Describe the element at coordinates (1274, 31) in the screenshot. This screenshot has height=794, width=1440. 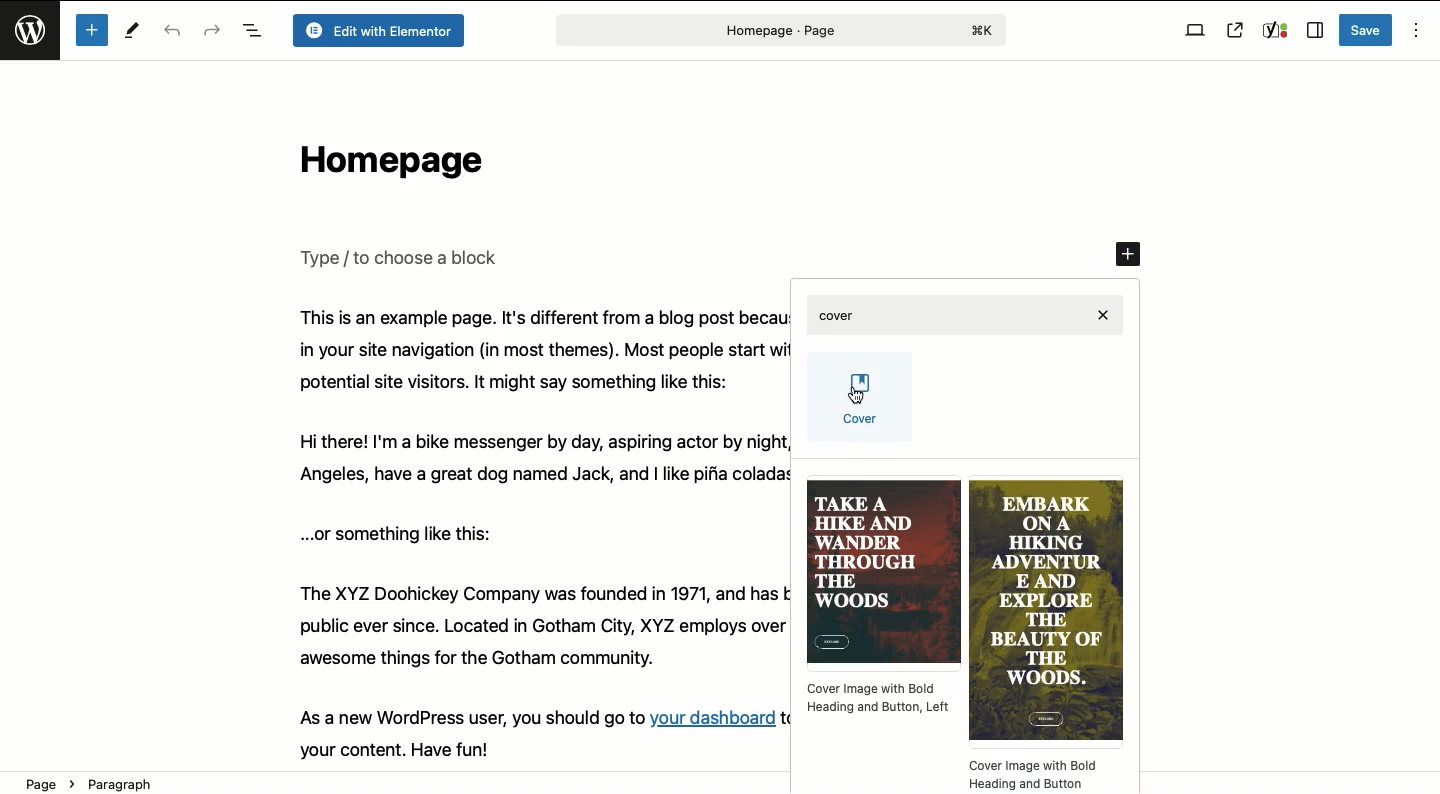
I see `Yoast` at that location.